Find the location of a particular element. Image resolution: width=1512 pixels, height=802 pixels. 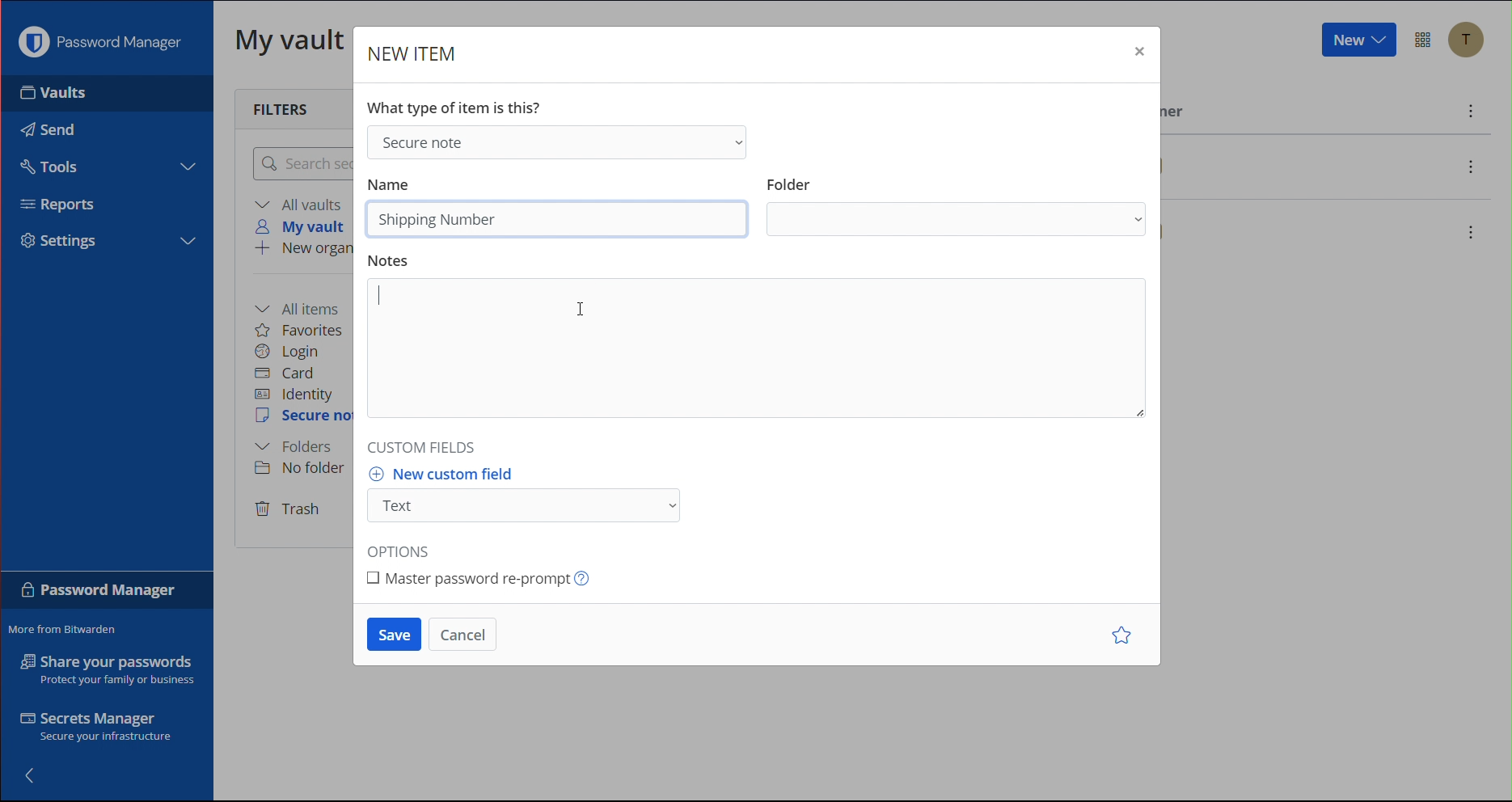

Login is located at coordinates (291, 352).